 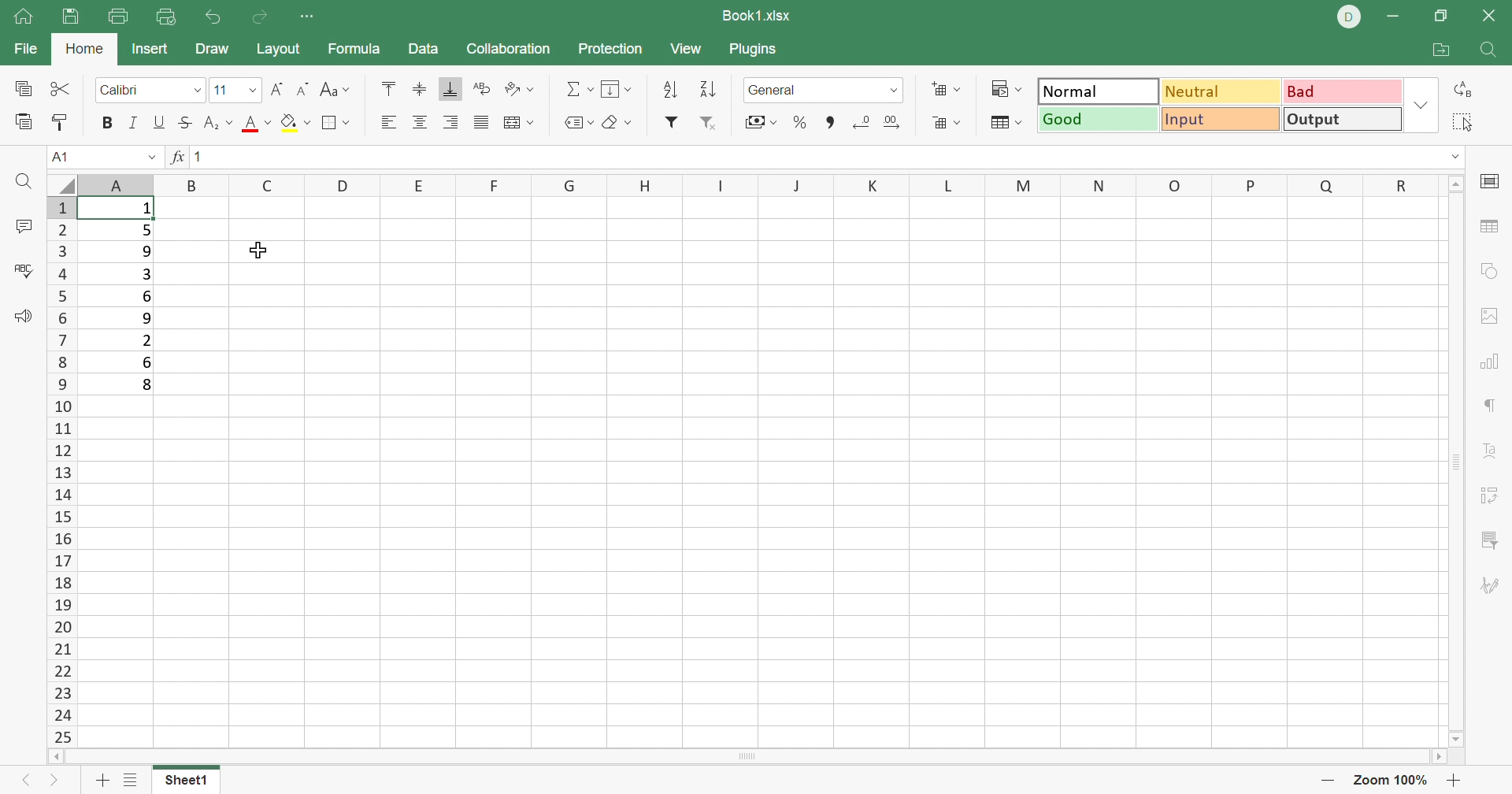 What do you see at coordinates (129, 92) in the screenshot?
I see `Font` at bounding box center [129, 92].